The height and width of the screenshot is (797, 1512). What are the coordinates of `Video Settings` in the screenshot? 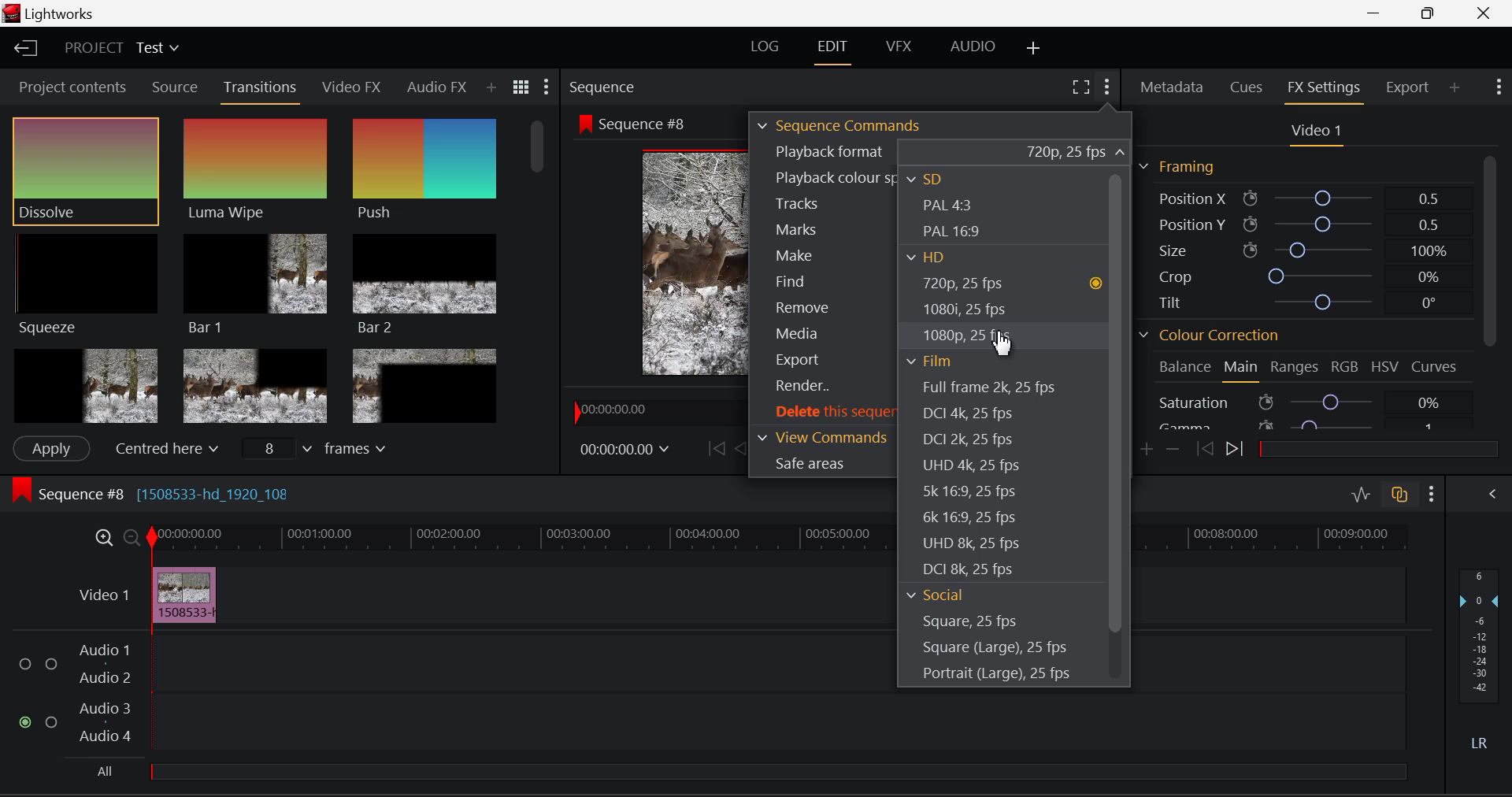 It's located at (1317, 132).